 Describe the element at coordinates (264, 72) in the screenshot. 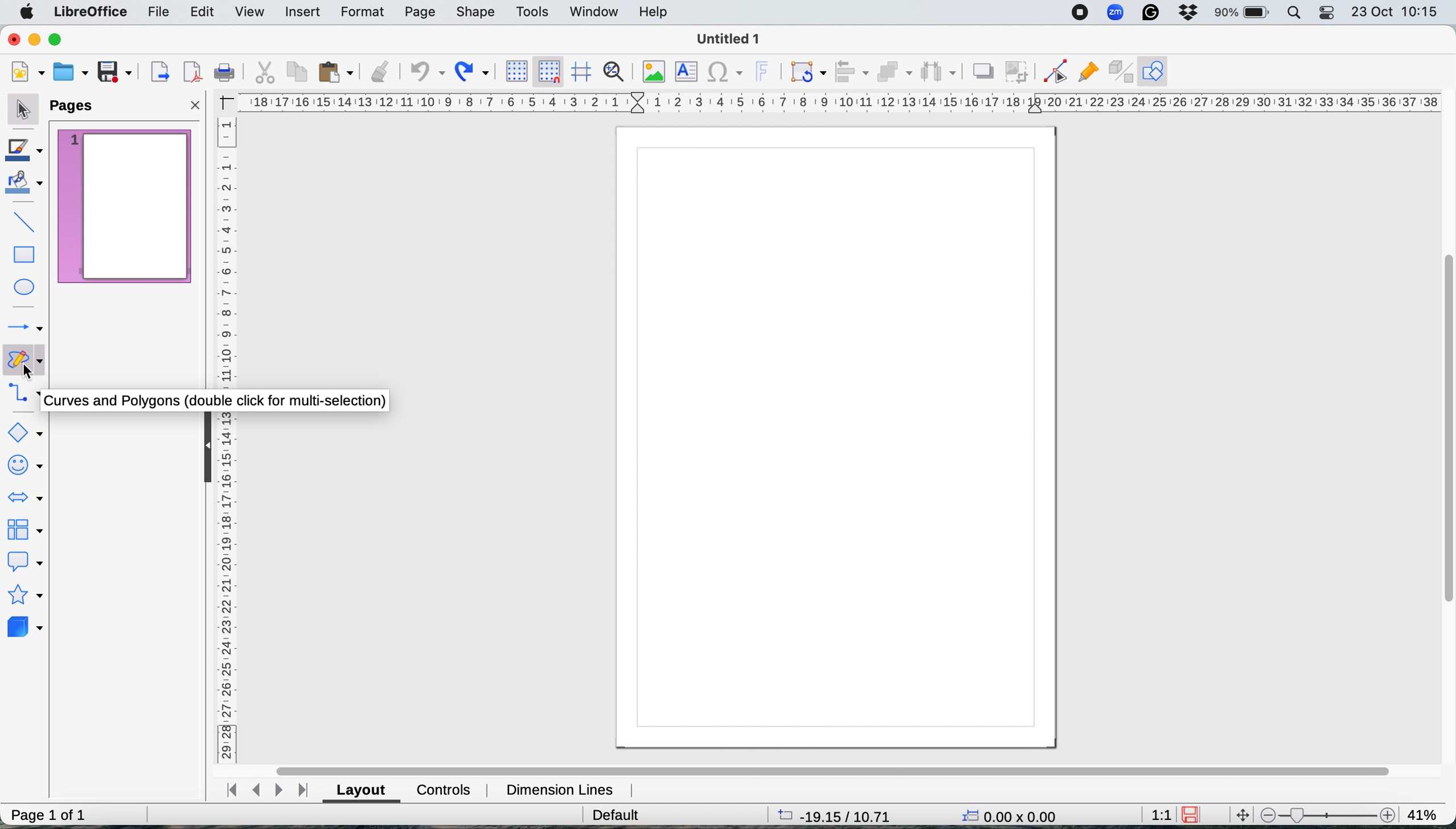

I see `cut` at that location.